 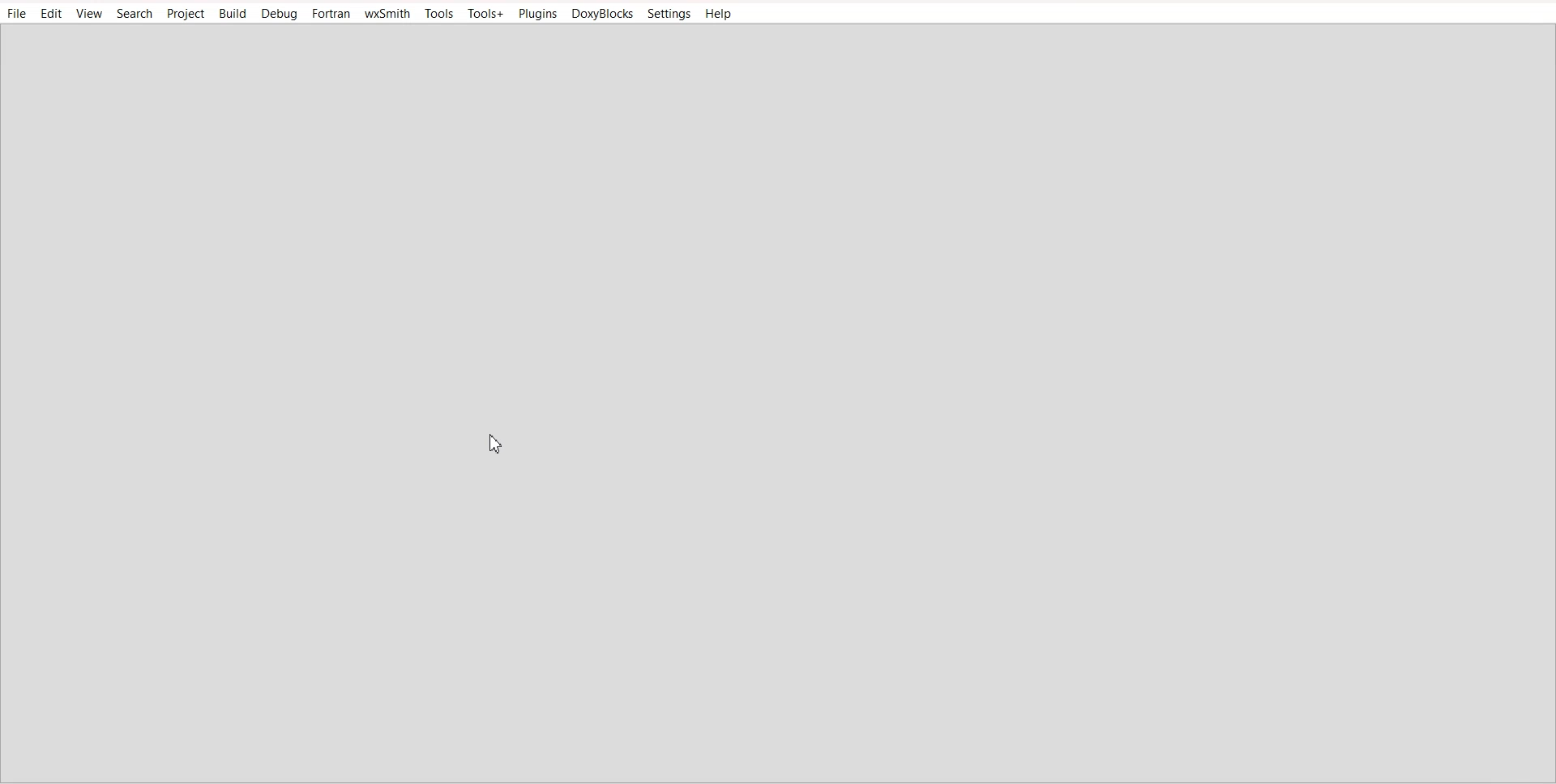 What do you see at coordinates (669, 13) in the screenshot?
I see `Settings` at bounding box center [669, 13].